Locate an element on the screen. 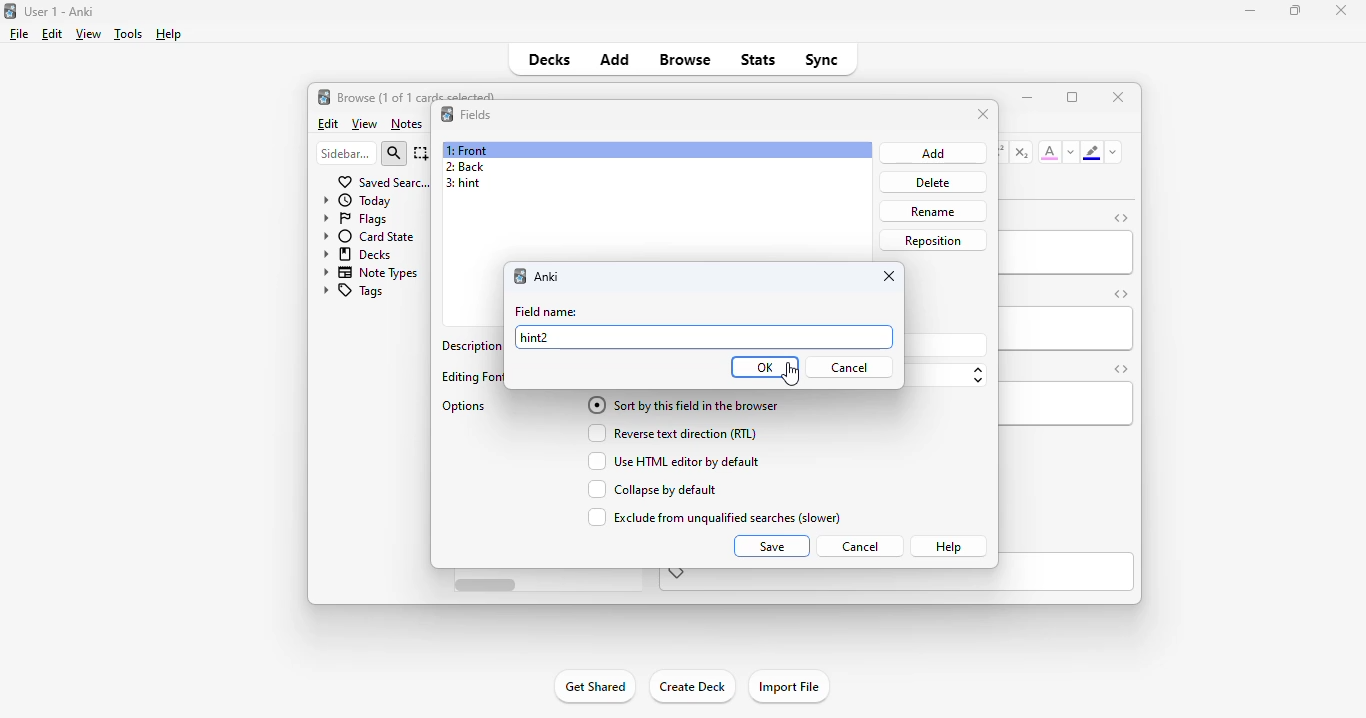 This screenshot has height=718, width=1366. edit is located at coordinates (52, 34).